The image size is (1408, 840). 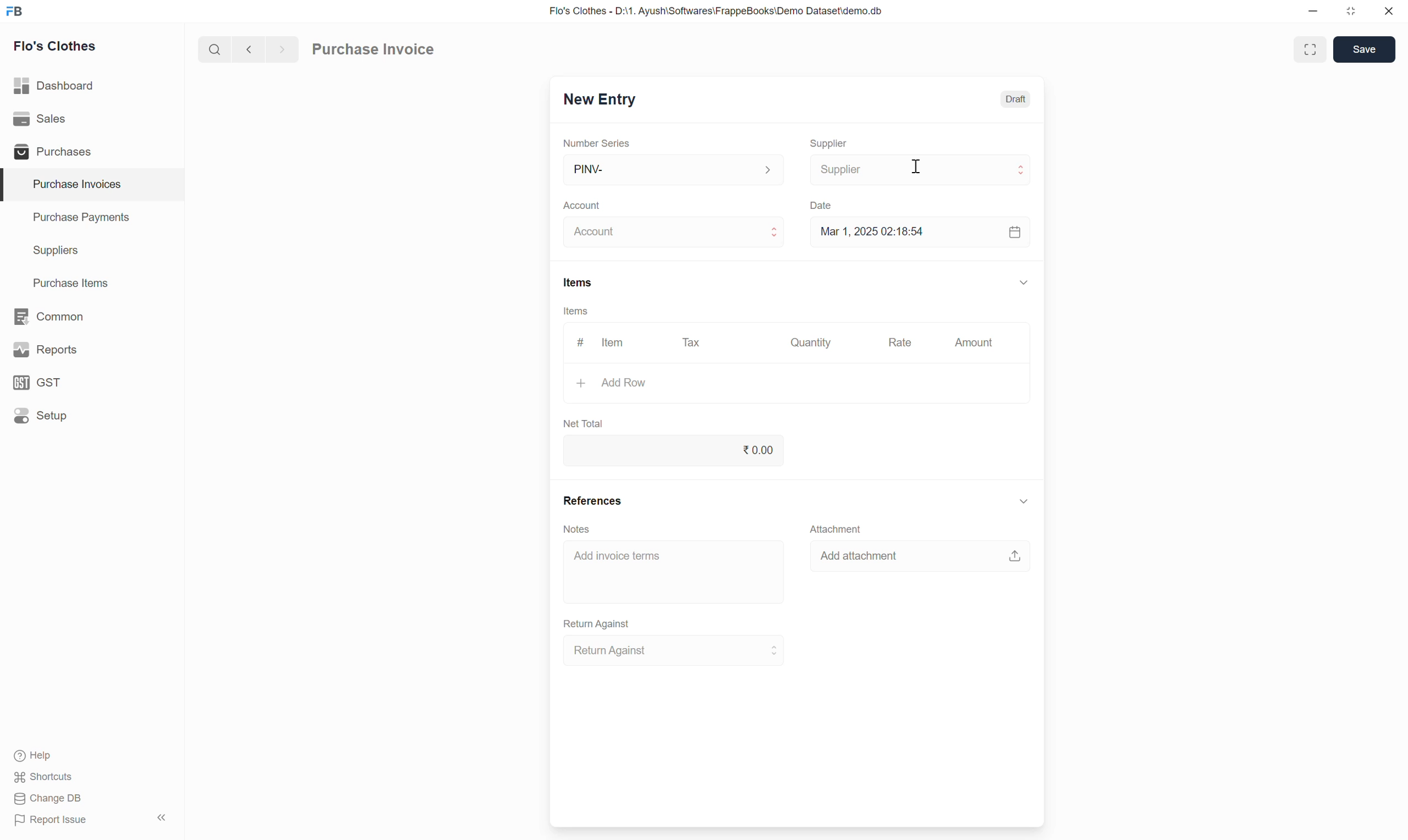 I want to click on Add Row, so click(x=797, y=383).